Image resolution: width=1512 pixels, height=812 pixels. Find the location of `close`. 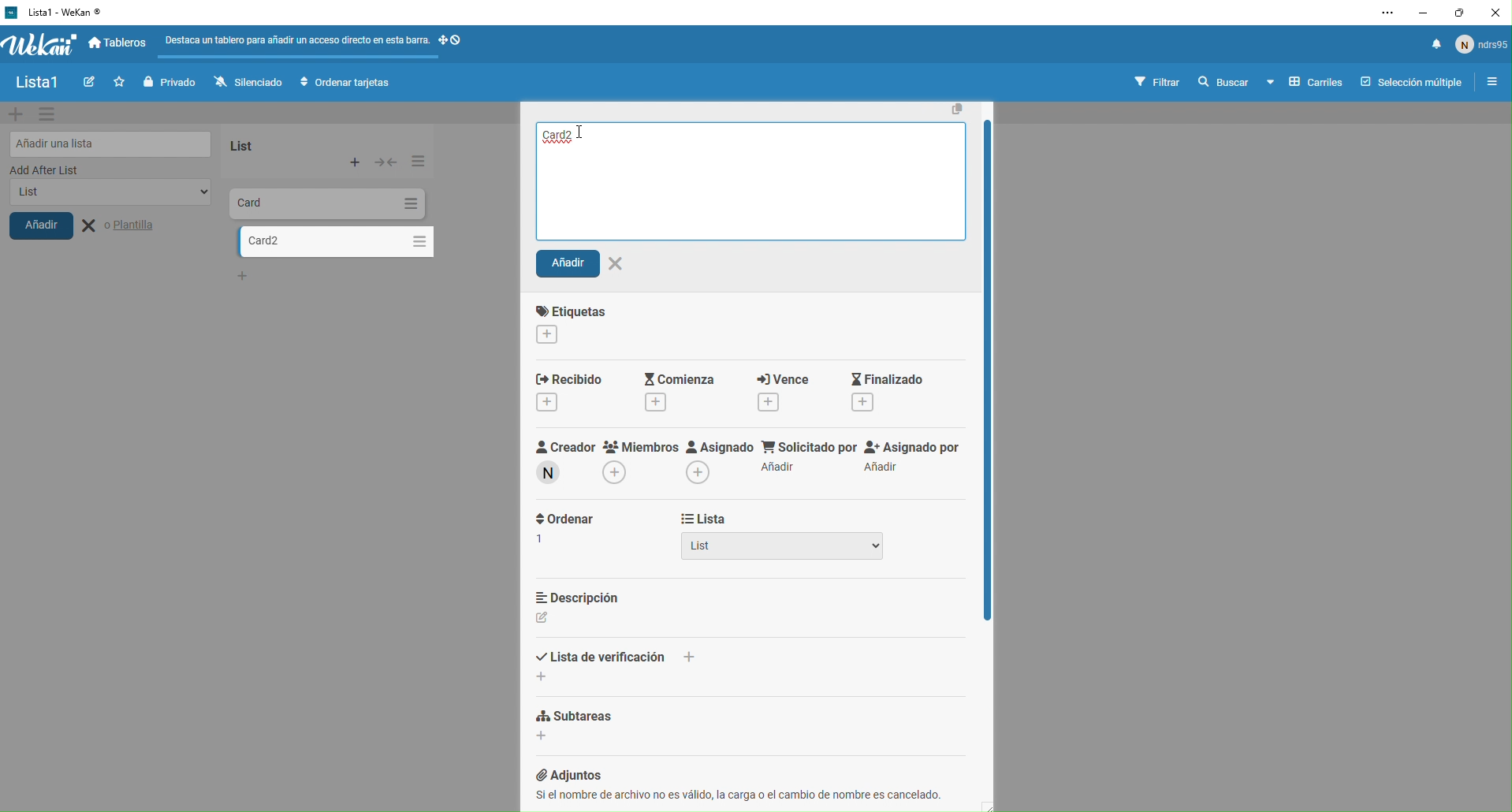

close is located at coordinates (1496, 12).